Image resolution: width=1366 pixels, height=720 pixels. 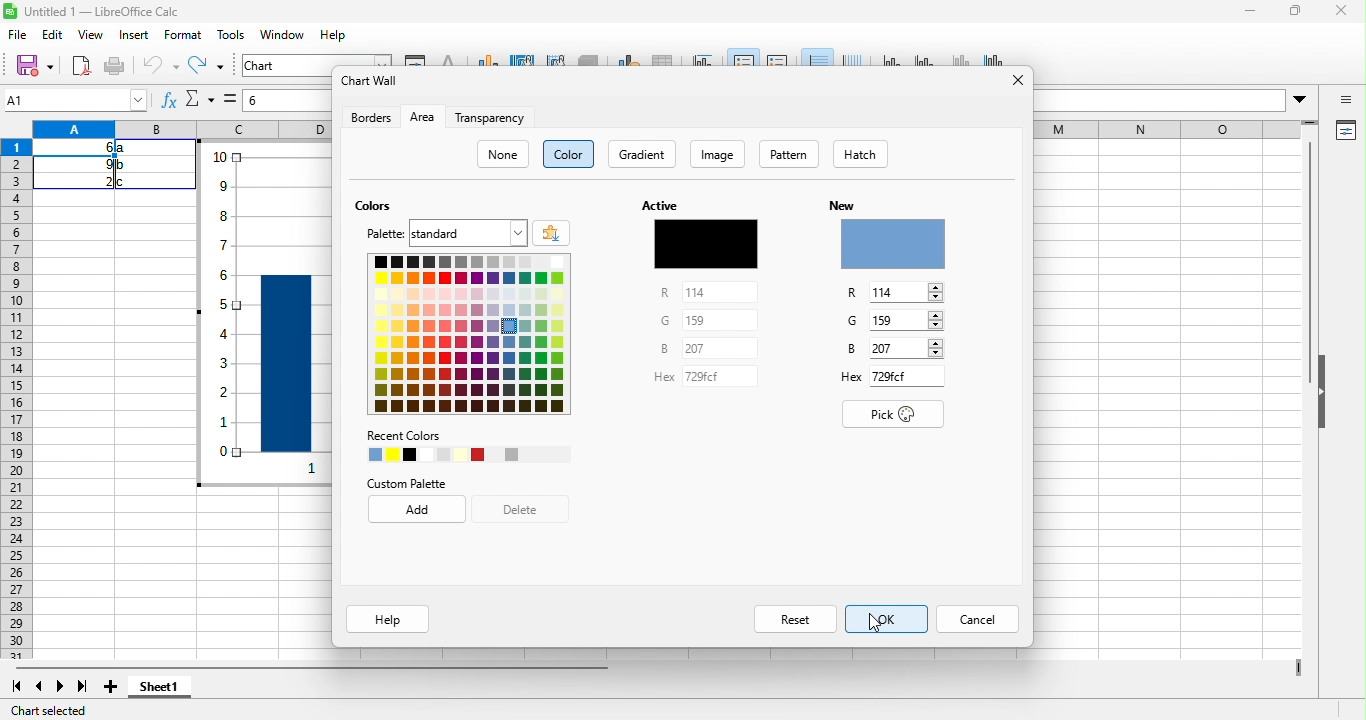 I want to click on minimize, so click(x=1250, y=10).